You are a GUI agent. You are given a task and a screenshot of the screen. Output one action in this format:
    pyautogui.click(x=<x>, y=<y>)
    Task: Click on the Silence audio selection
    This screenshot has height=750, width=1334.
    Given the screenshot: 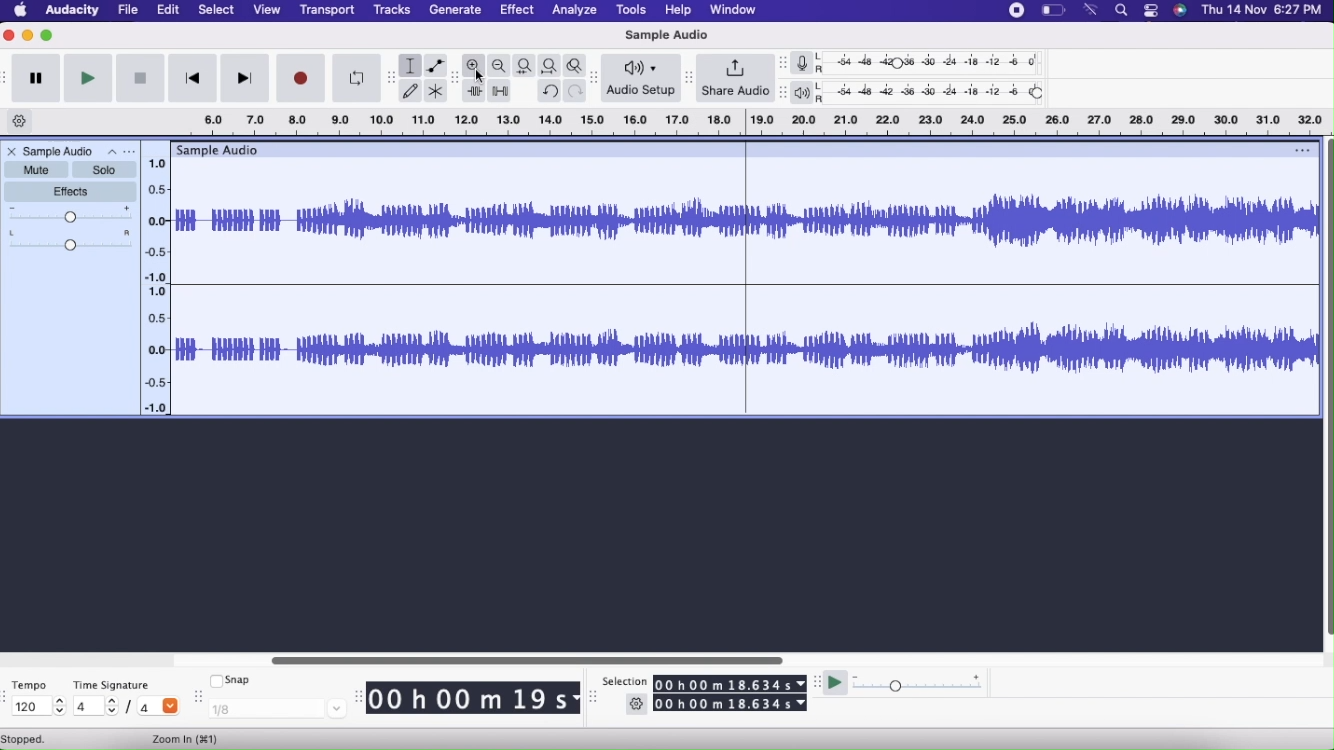 What is the action you would take?
    pyautogui.click(x=499, y=91)
    